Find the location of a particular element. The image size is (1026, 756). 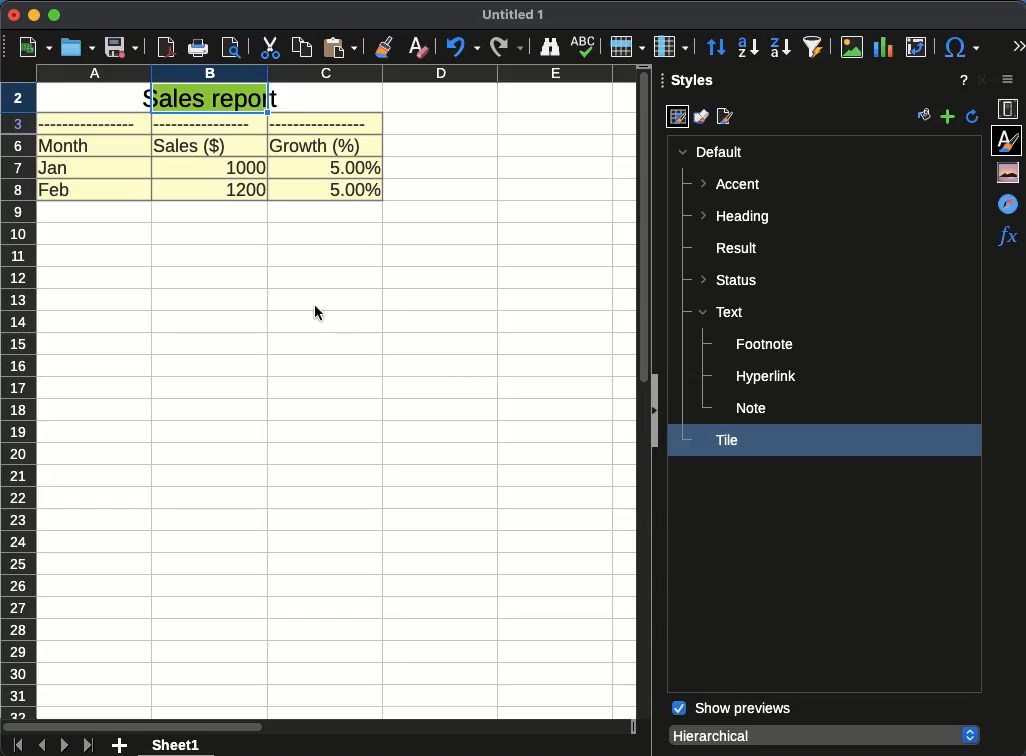

help is located at coordinates (964, 80).